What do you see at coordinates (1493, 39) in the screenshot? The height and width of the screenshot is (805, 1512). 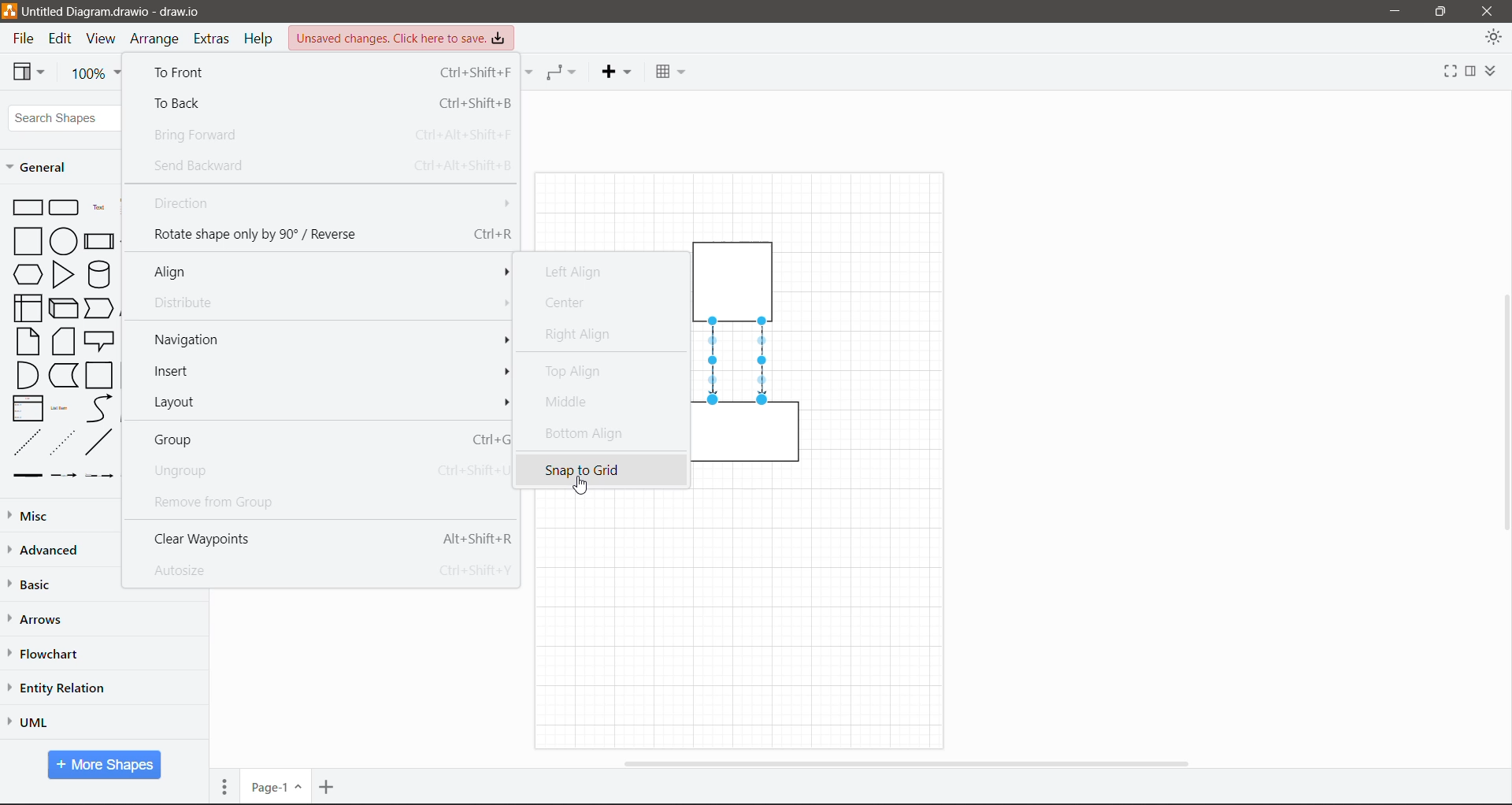 I see `Appearance` at bounding box center [1493, 39].